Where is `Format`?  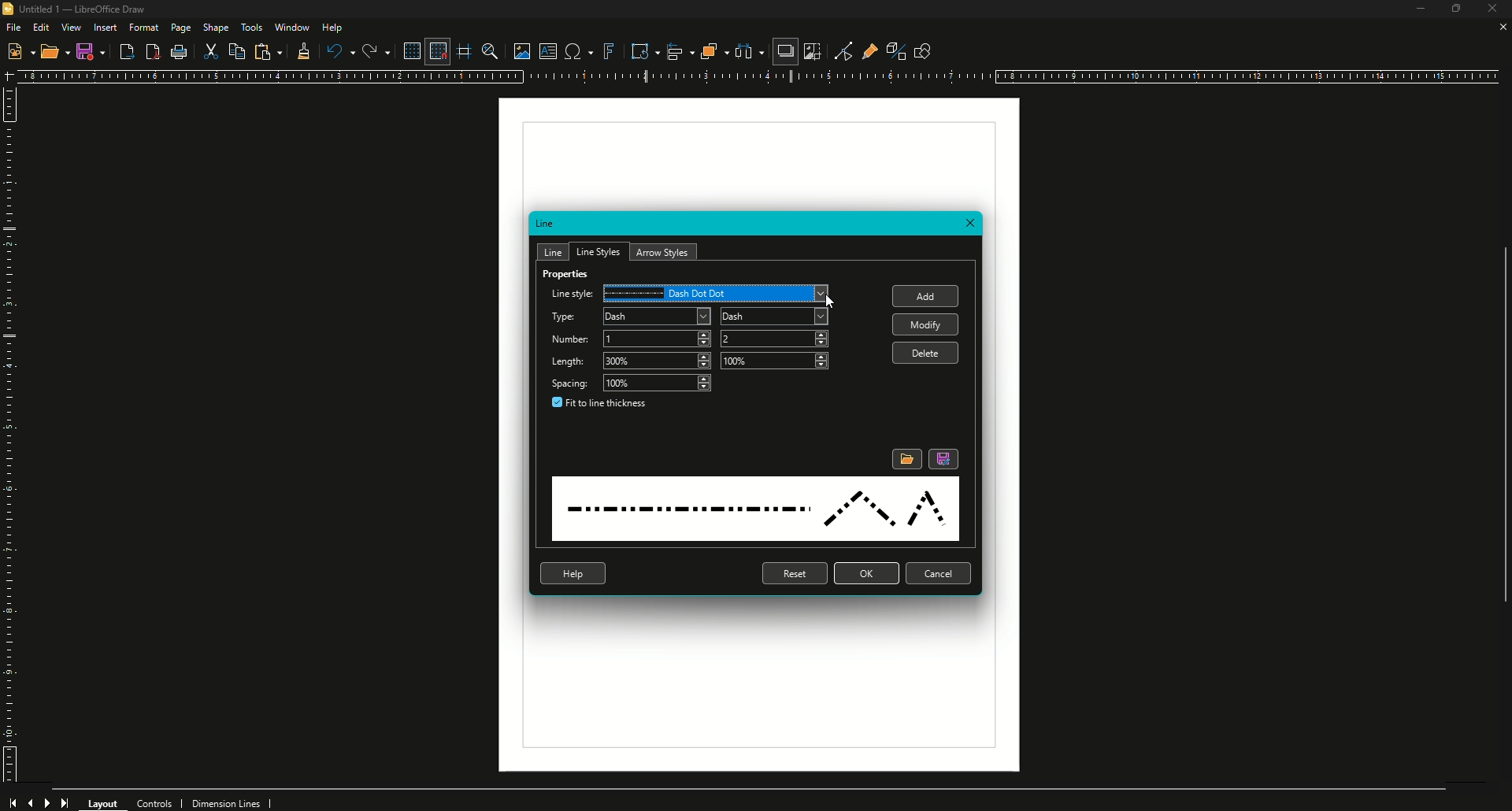
Format is located at coordinates (144, 28).